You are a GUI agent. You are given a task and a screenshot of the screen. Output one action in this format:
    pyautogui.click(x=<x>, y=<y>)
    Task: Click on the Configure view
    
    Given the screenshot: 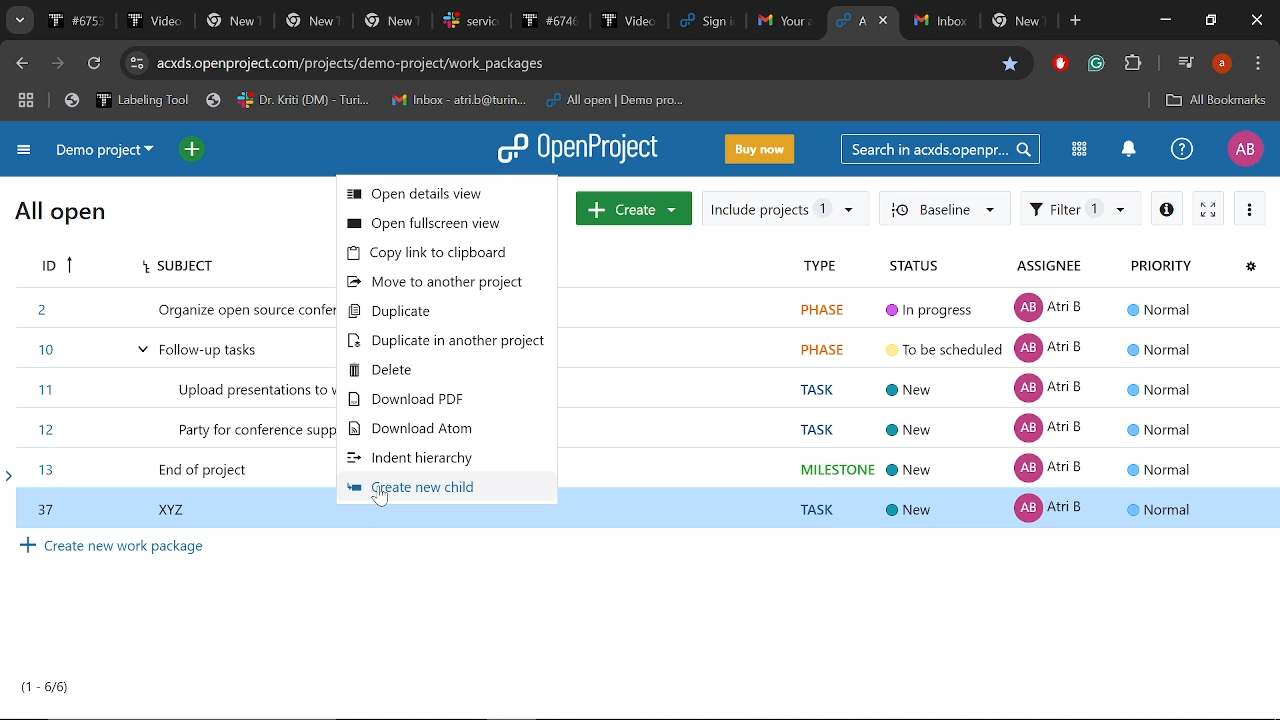 What is the action you would take?
    pyautogui.click(x=1250, y=268)
    